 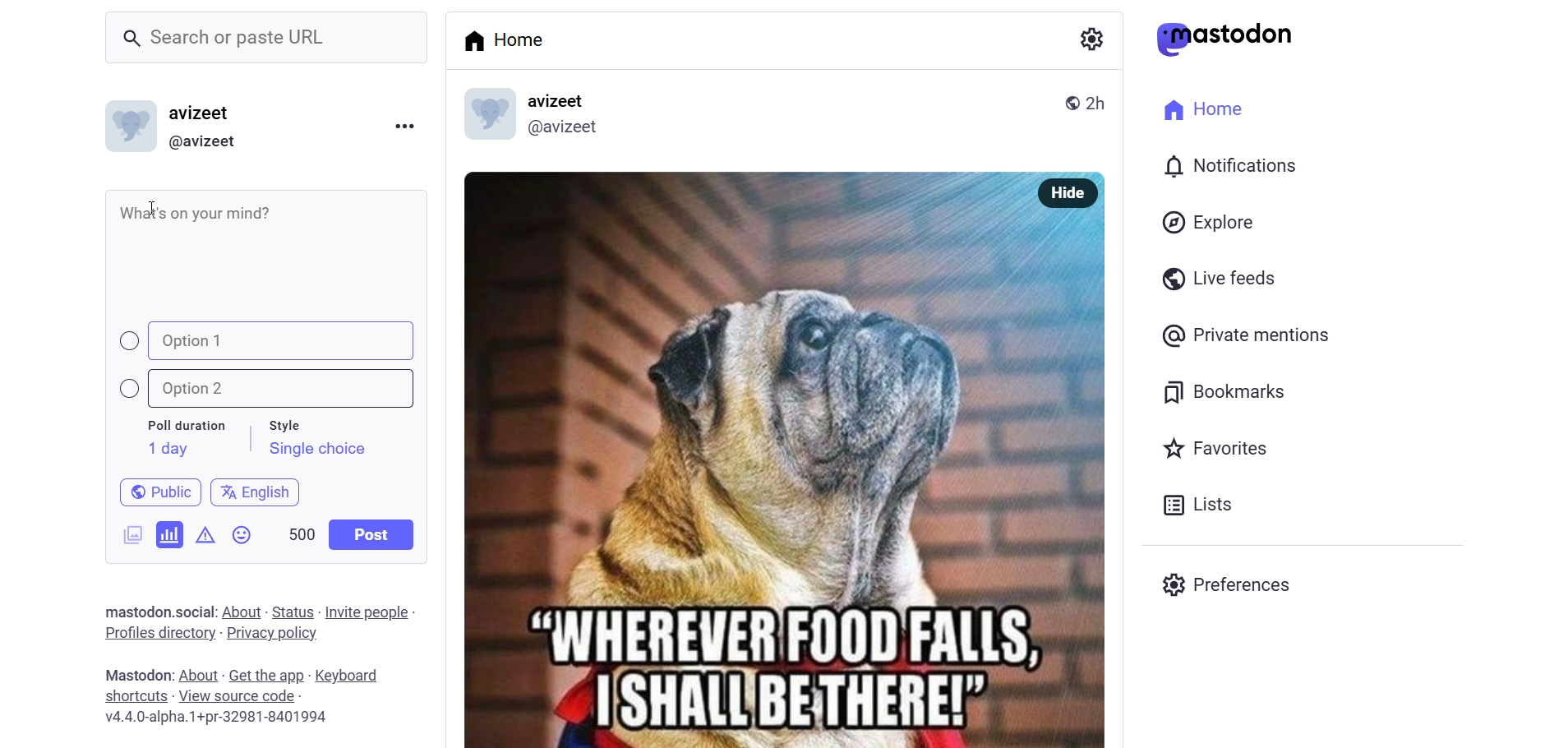 I want to click on mastodon, so click(x=134, y=674).